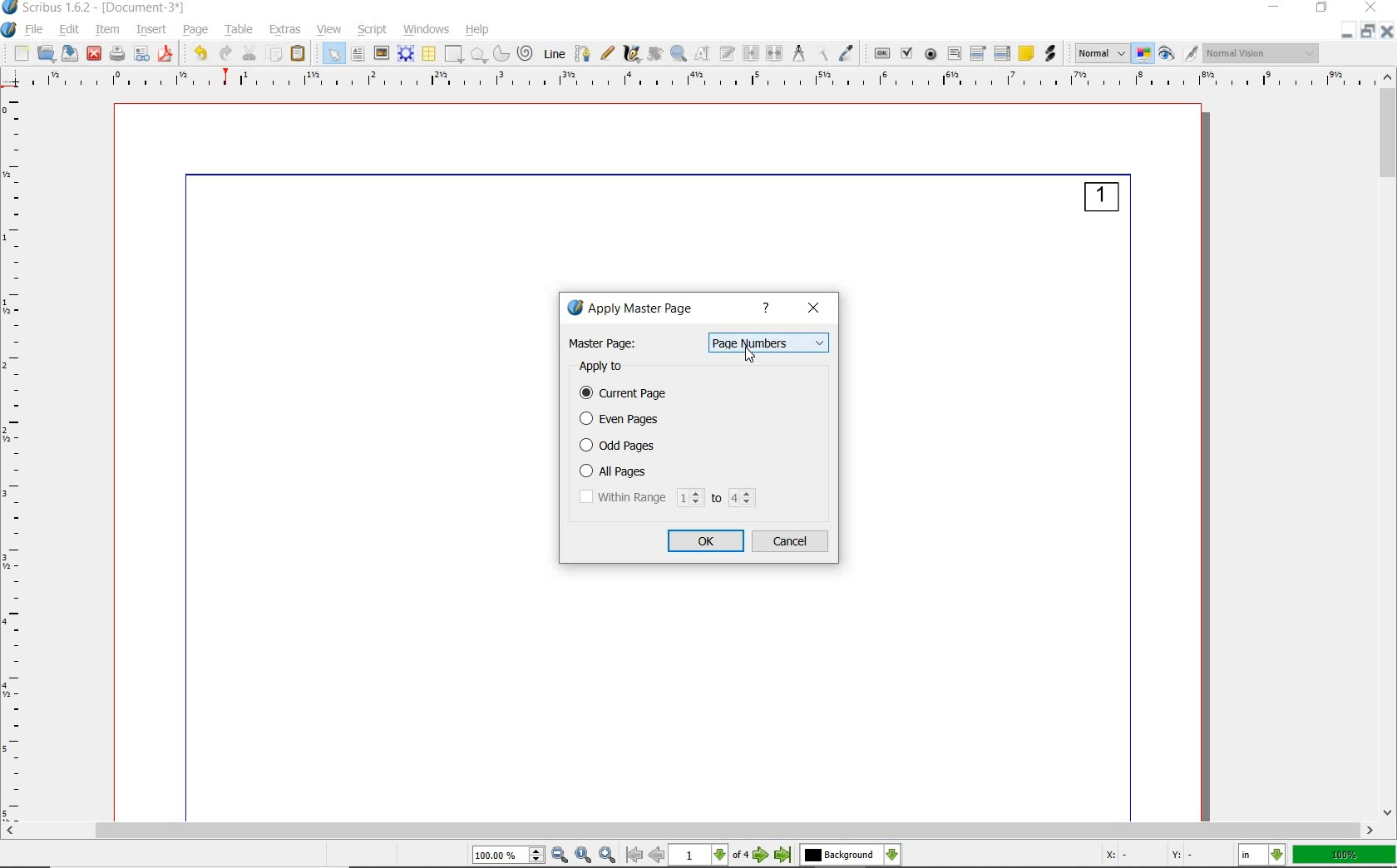  I want to click on spiral, so click(528, 53).